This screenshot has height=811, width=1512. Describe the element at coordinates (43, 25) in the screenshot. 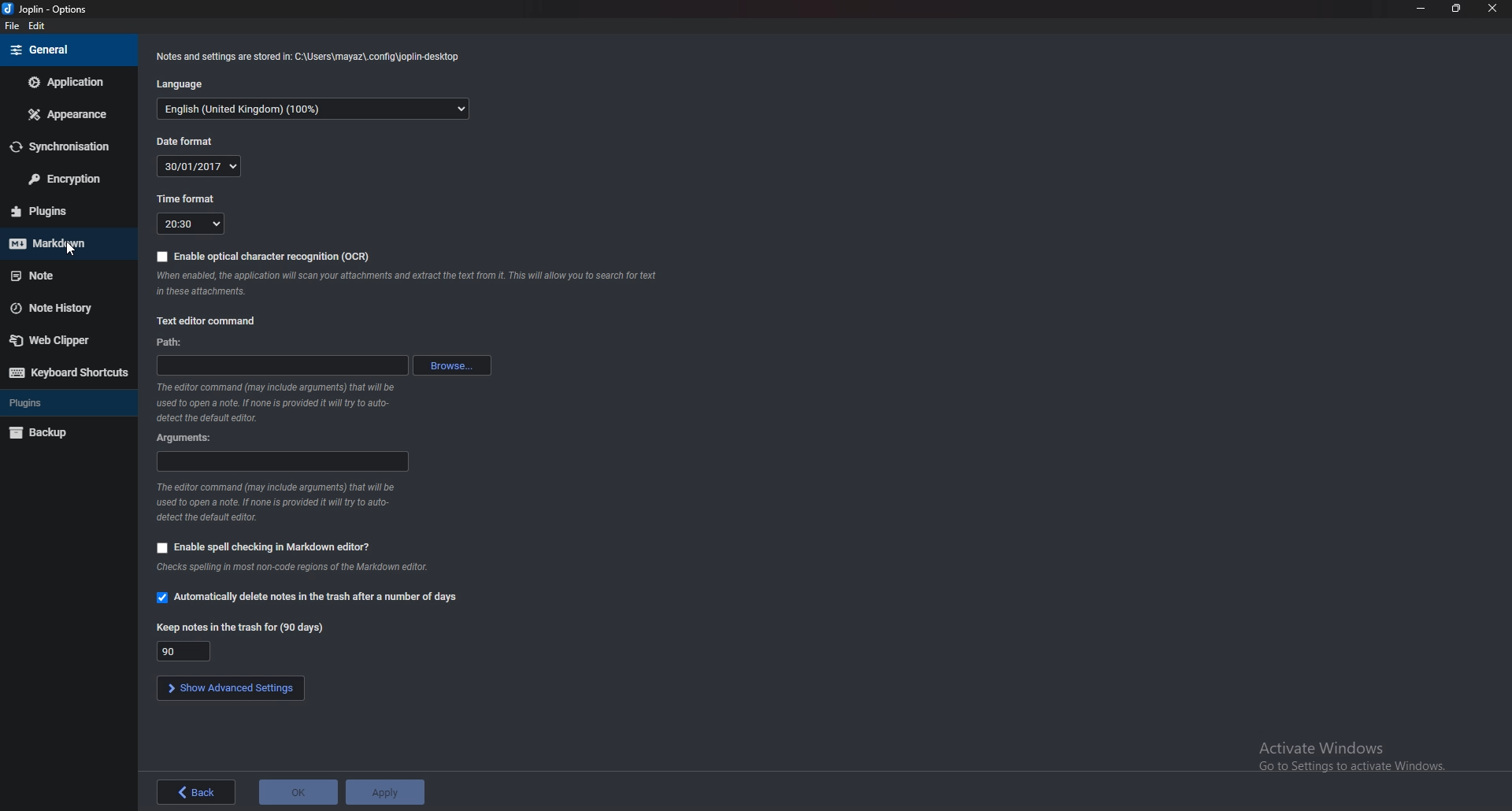

I see `edit` at that location.